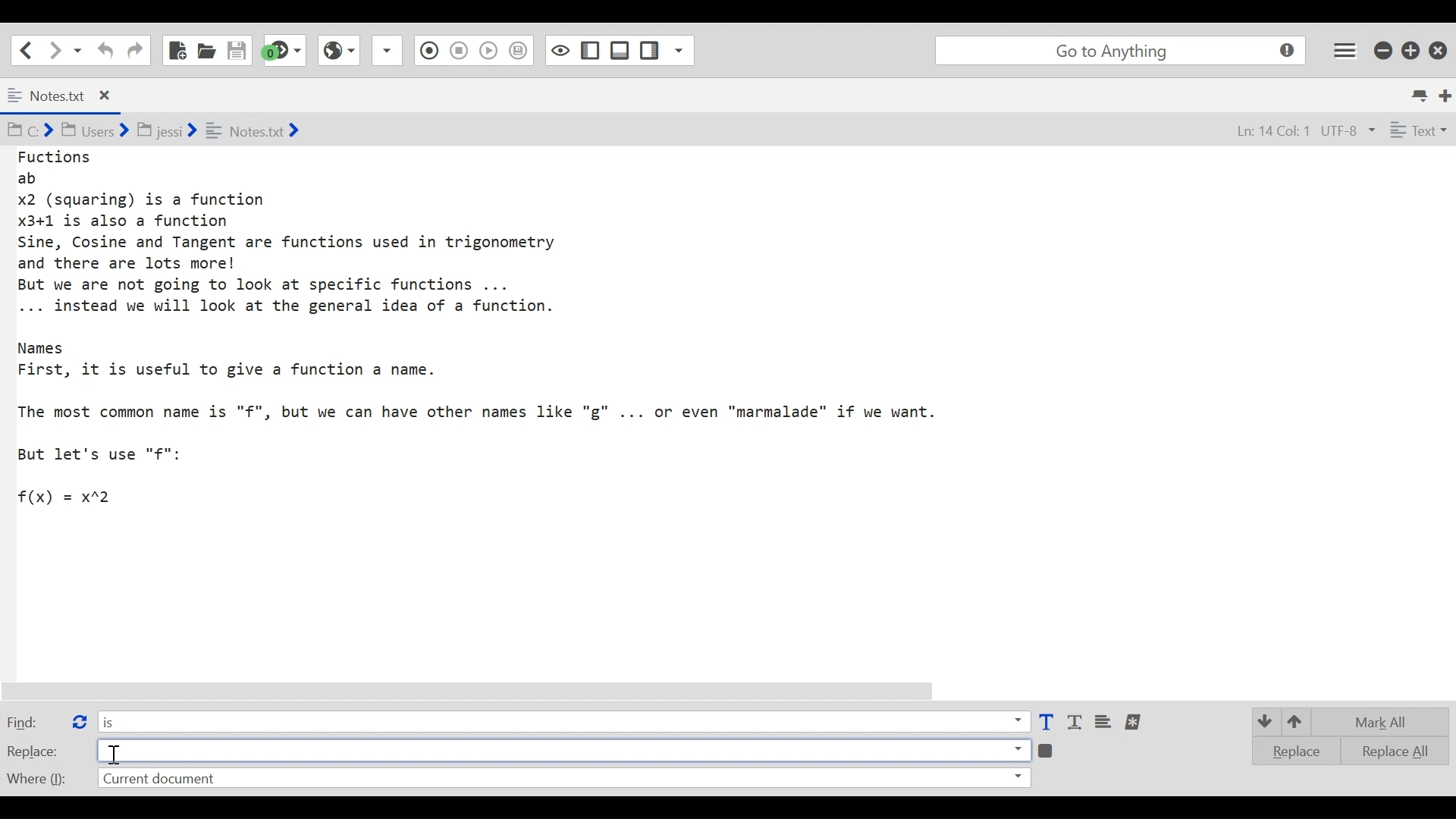  What do you see at coordinates (1446, 94) in the screenshot?
I see `New Tab` at bounding box center [1446, 94].